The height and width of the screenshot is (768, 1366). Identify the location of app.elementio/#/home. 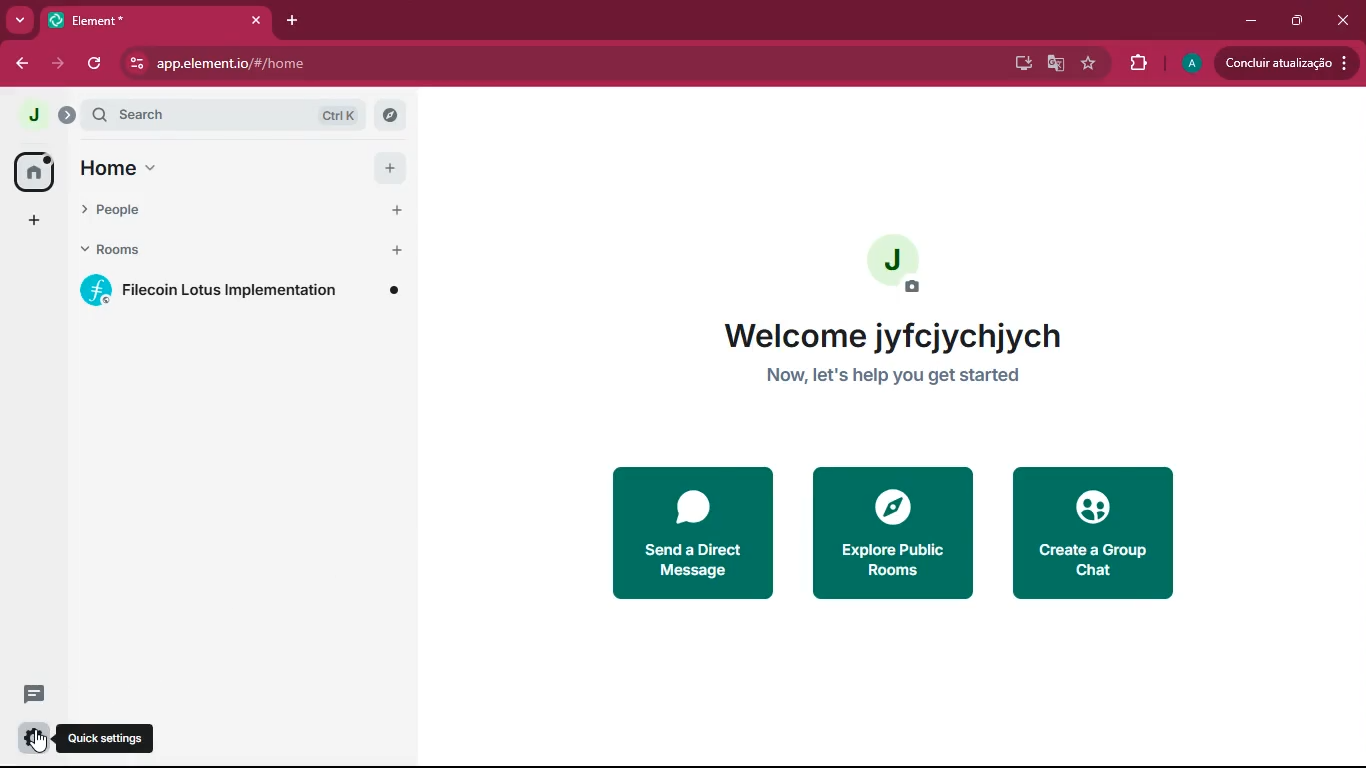
(240, 62).